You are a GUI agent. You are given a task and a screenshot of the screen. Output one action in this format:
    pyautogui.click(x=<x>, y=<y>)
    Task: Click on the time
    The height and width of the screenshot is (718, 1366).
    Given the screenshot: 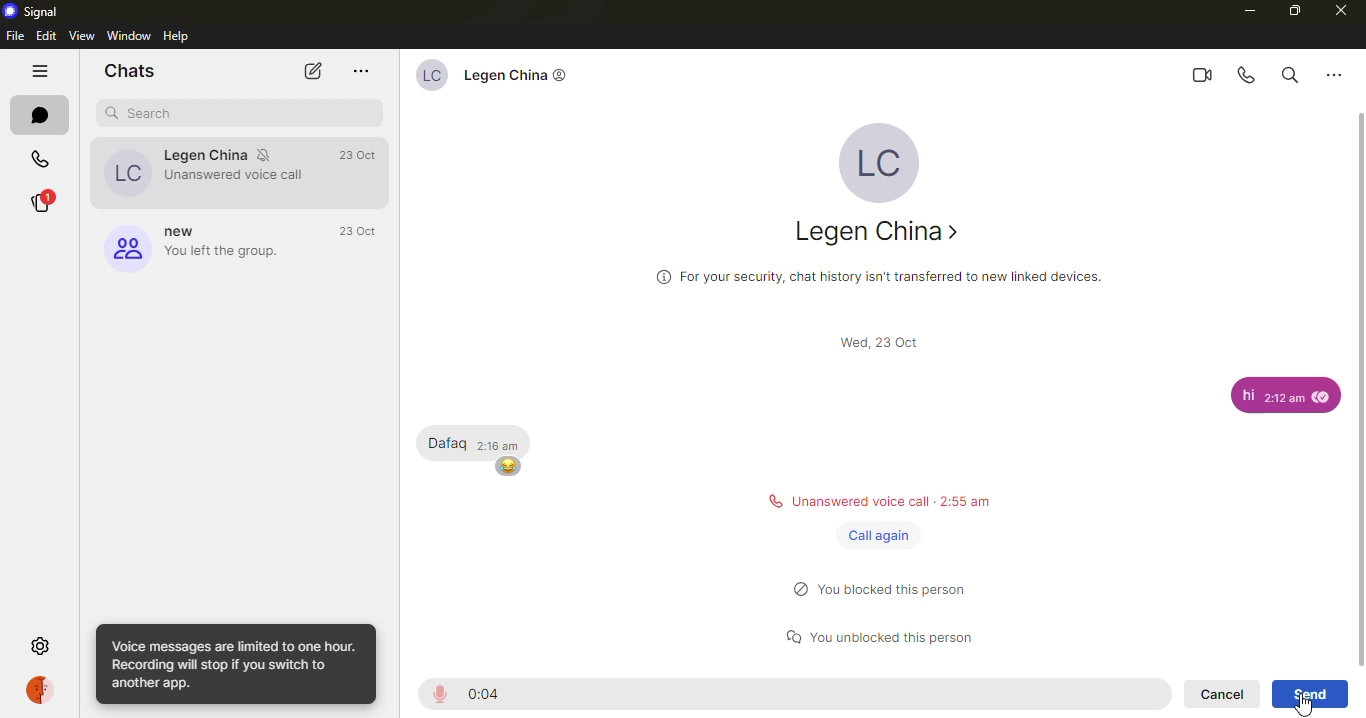 What is the action you would take?
    pyautogui.click(x=361, y=156)
    